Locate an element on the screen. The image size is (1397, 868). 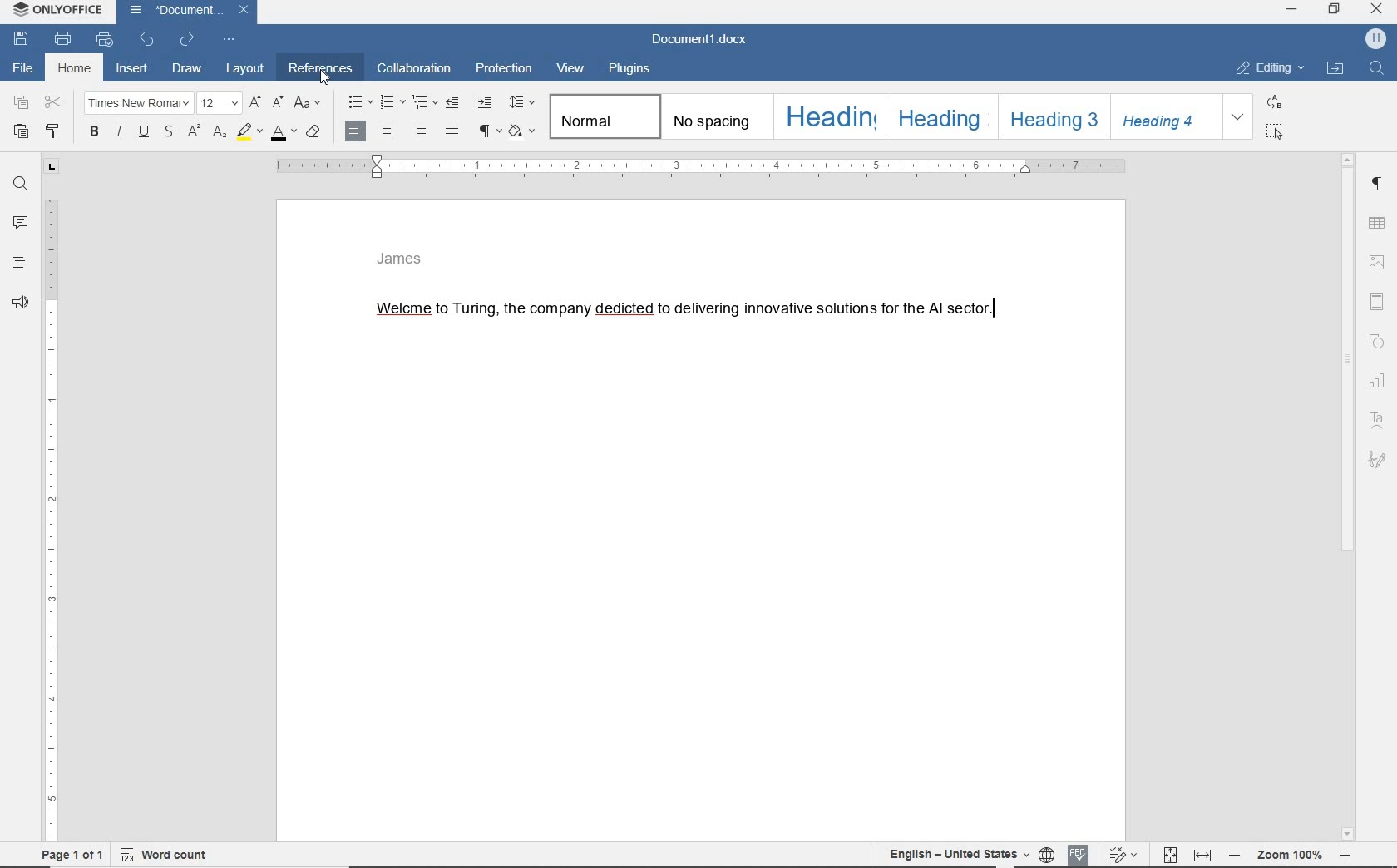
feedback & support is located at coordinates (21, 298).